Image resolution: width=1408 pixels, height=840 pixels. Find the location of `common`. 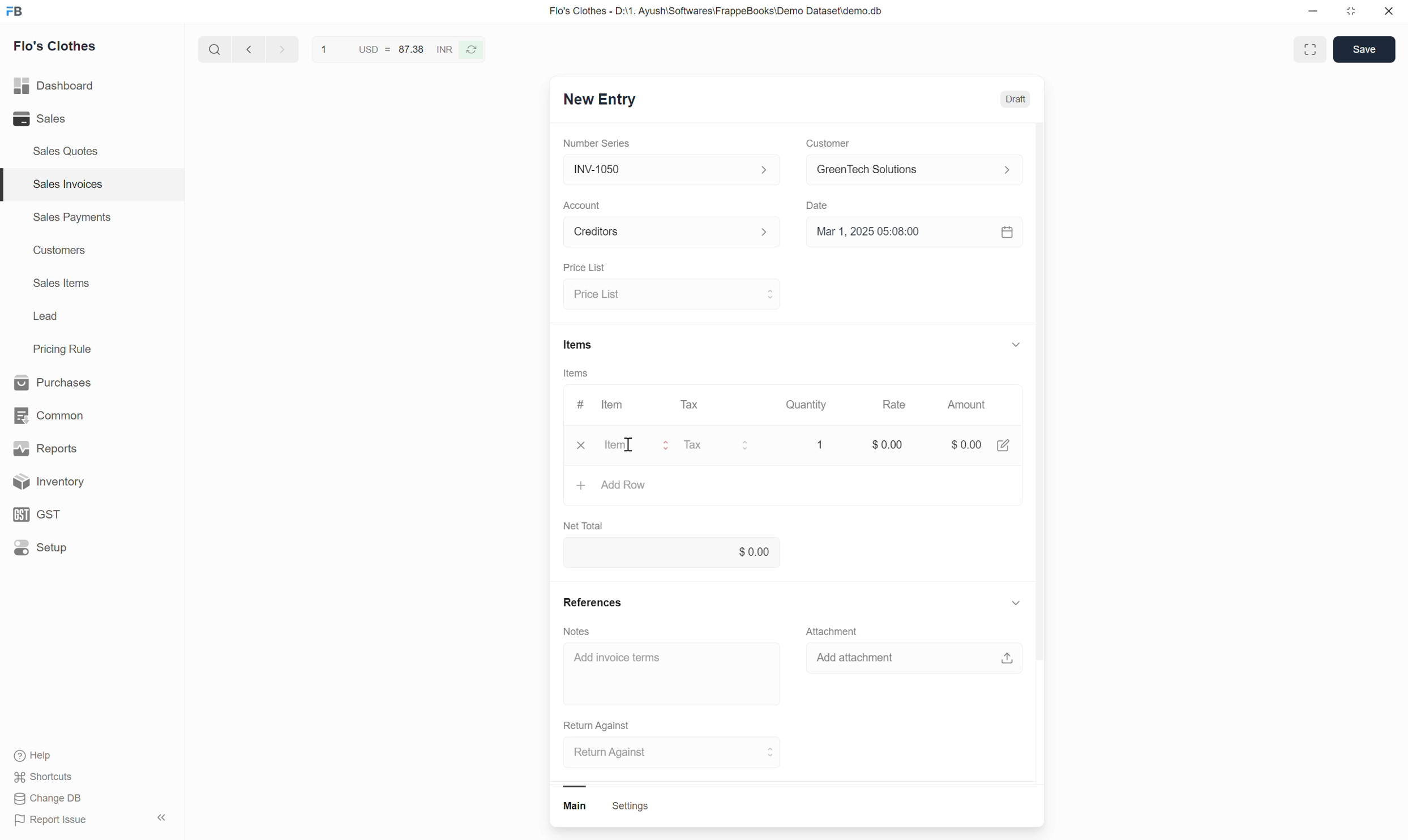

common is located at coordinates (74, 413).